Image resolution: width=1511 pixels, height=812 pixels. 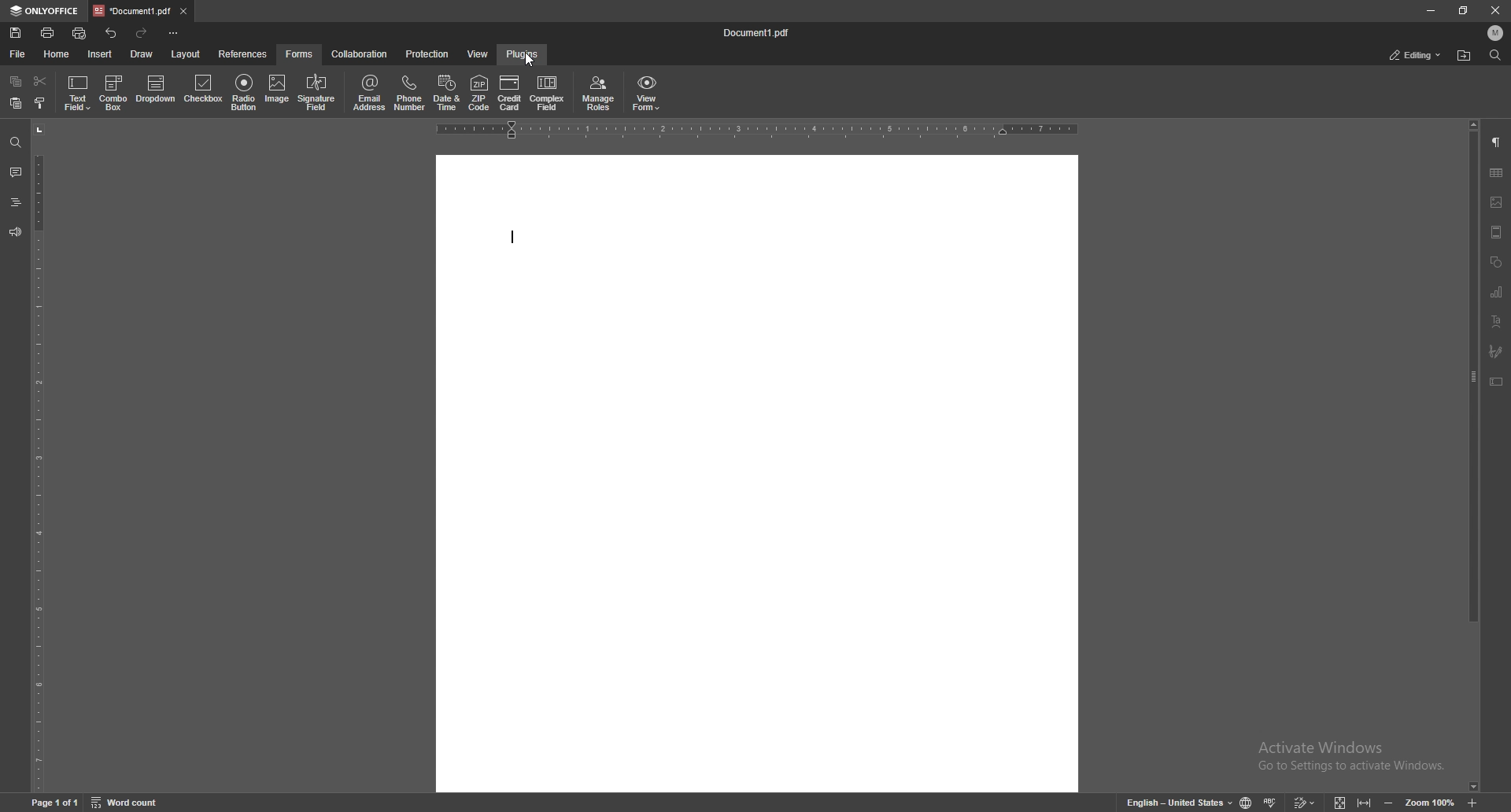 I want to click on redo, so click(x=142, y=35).